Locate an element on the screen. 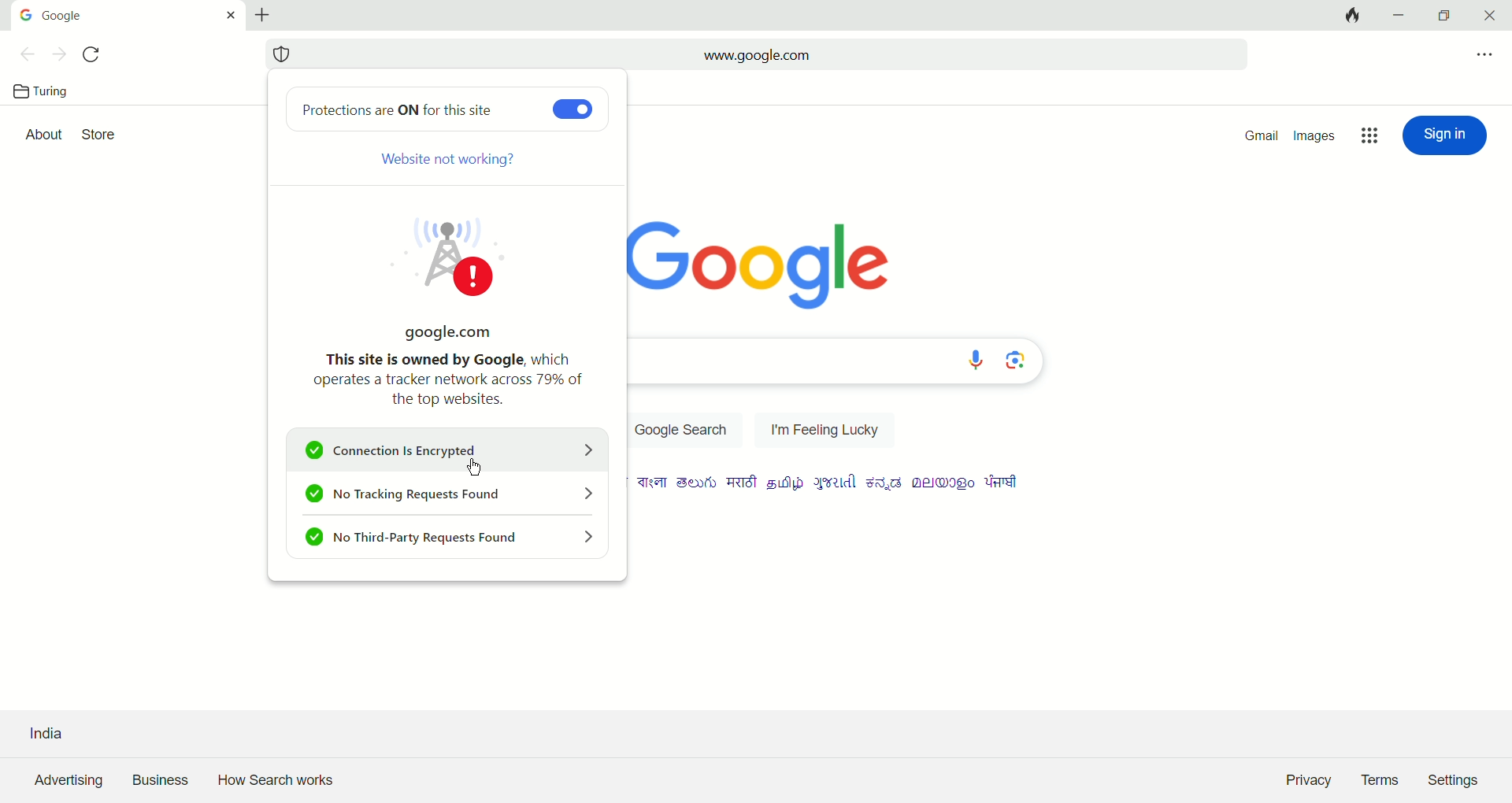 This screenshot has height=803, width=1512. toggle button is located at coordinates (569, 109).